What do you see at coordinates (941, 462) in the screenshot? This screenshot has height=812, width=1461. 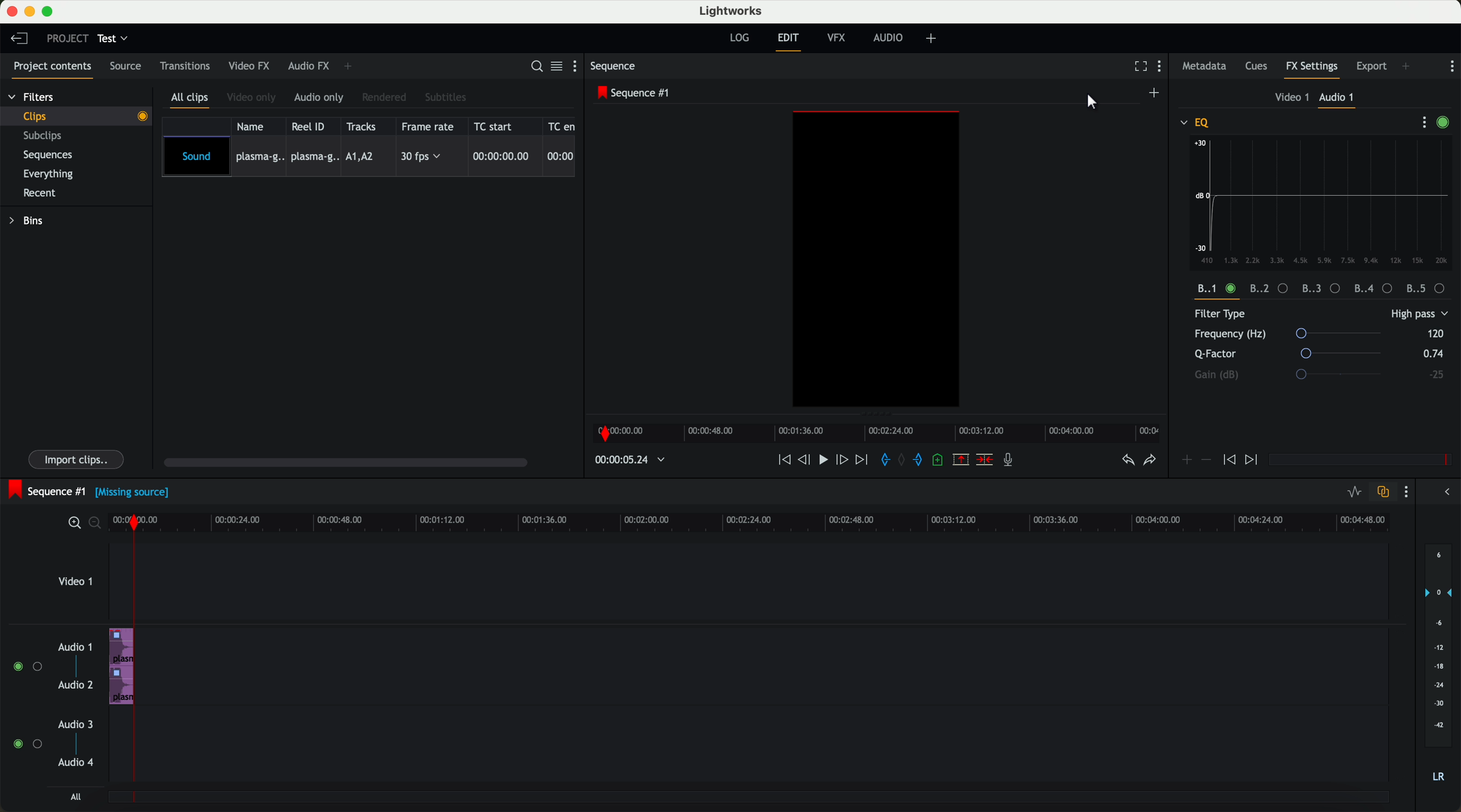 I see `add a cue at the current position` at bounding box center [941, 462].